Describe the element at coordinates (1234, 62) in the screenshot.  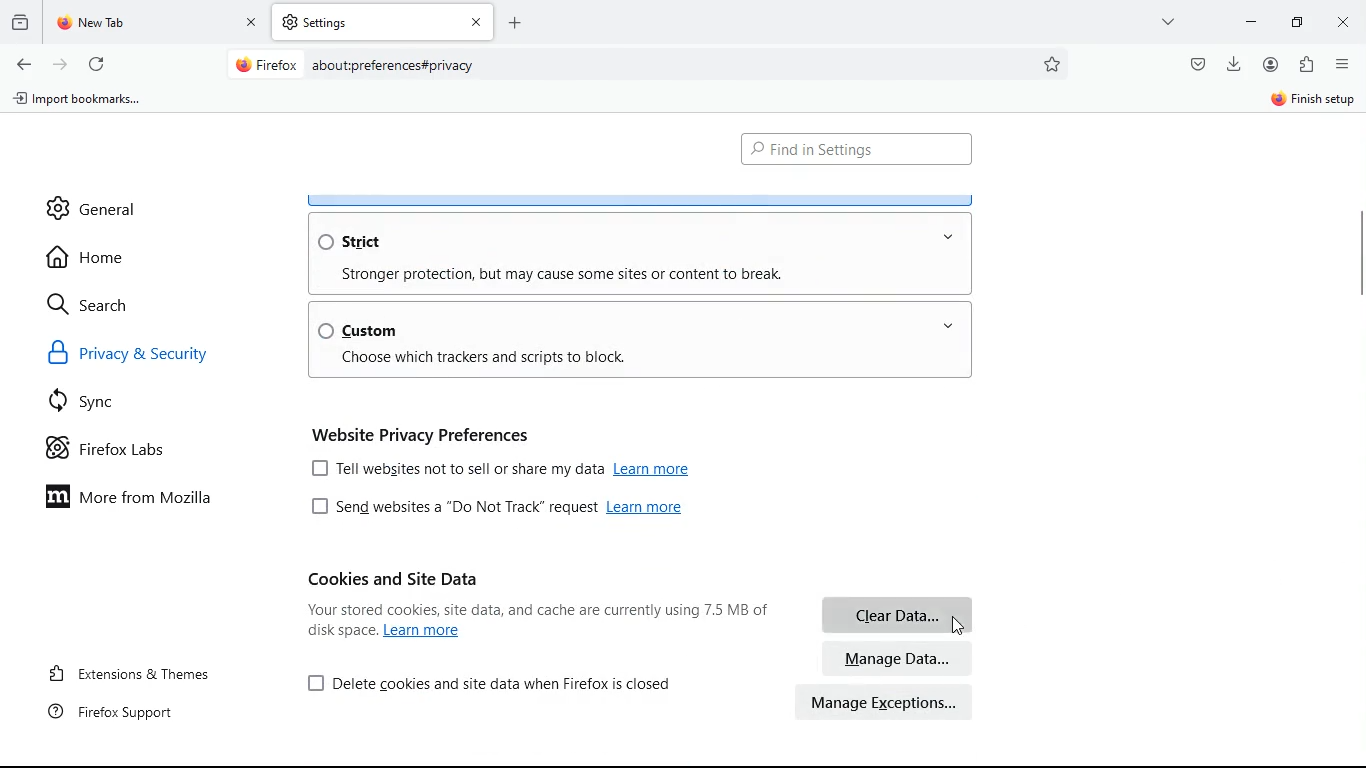
I see `download` at that location.